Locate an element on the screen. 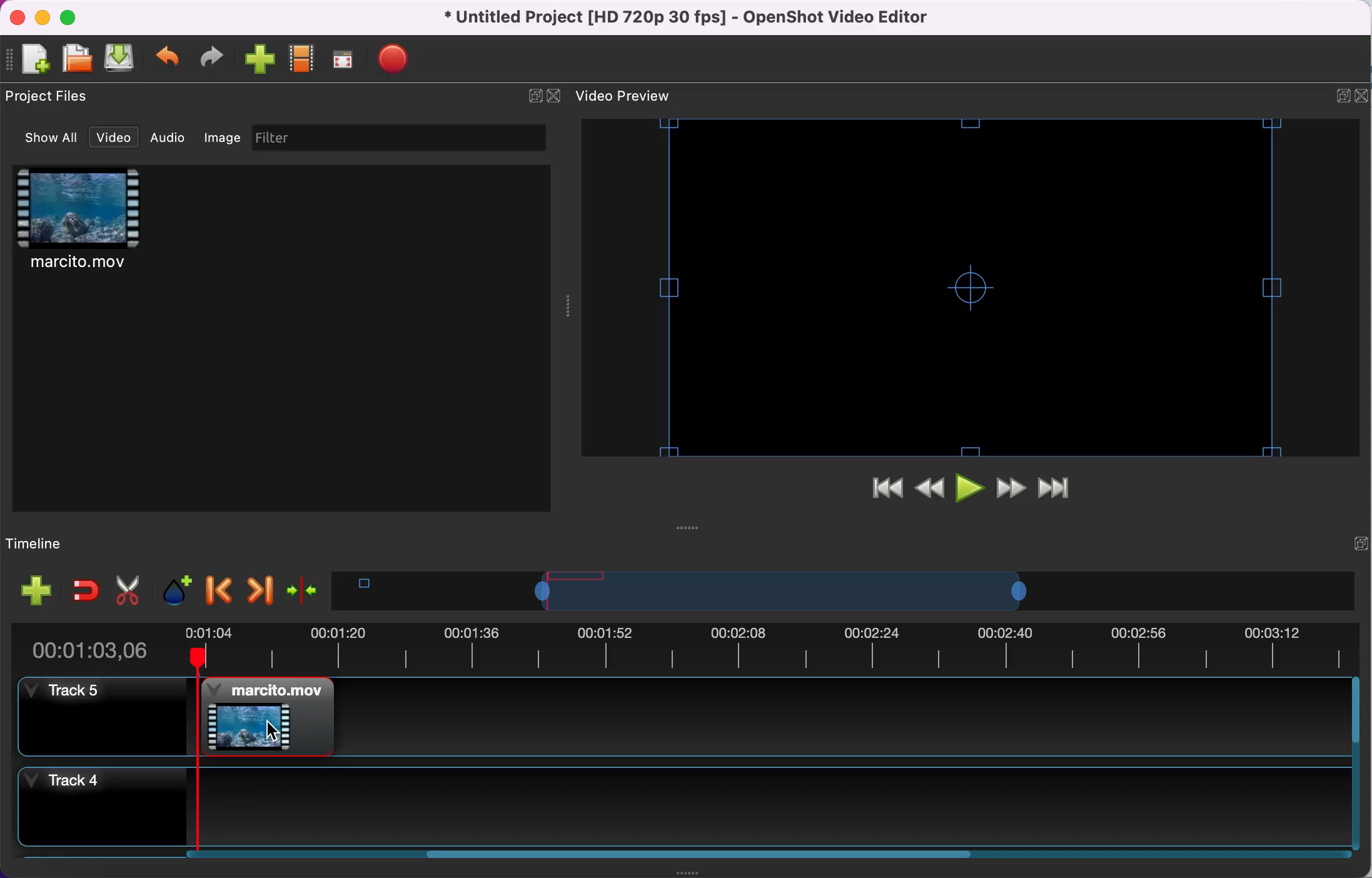 The height and width of the screenshot is (878, 1372). previous marker is located at coordinates (219, 588).